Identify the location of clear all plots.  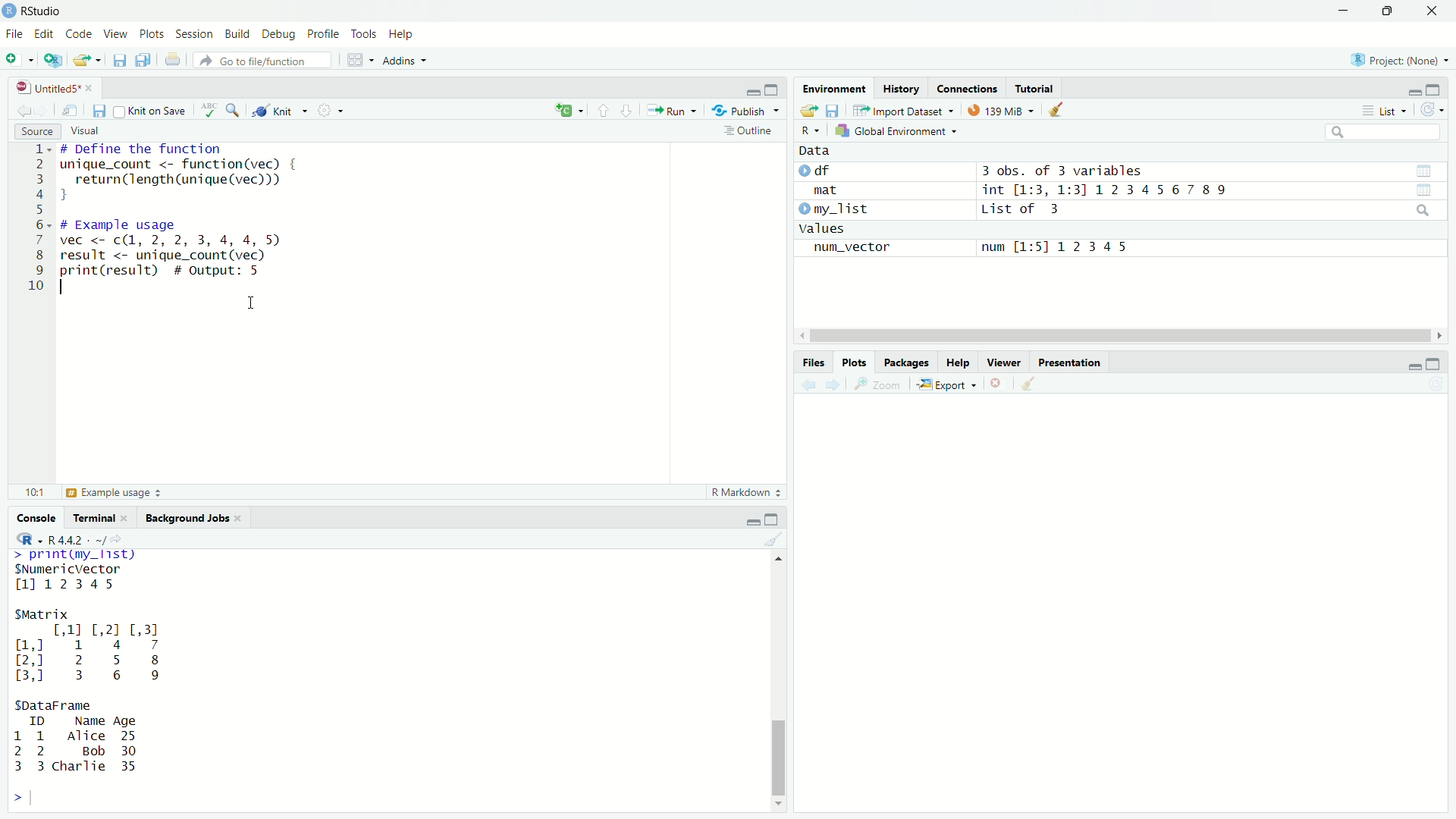
(1032, 384).